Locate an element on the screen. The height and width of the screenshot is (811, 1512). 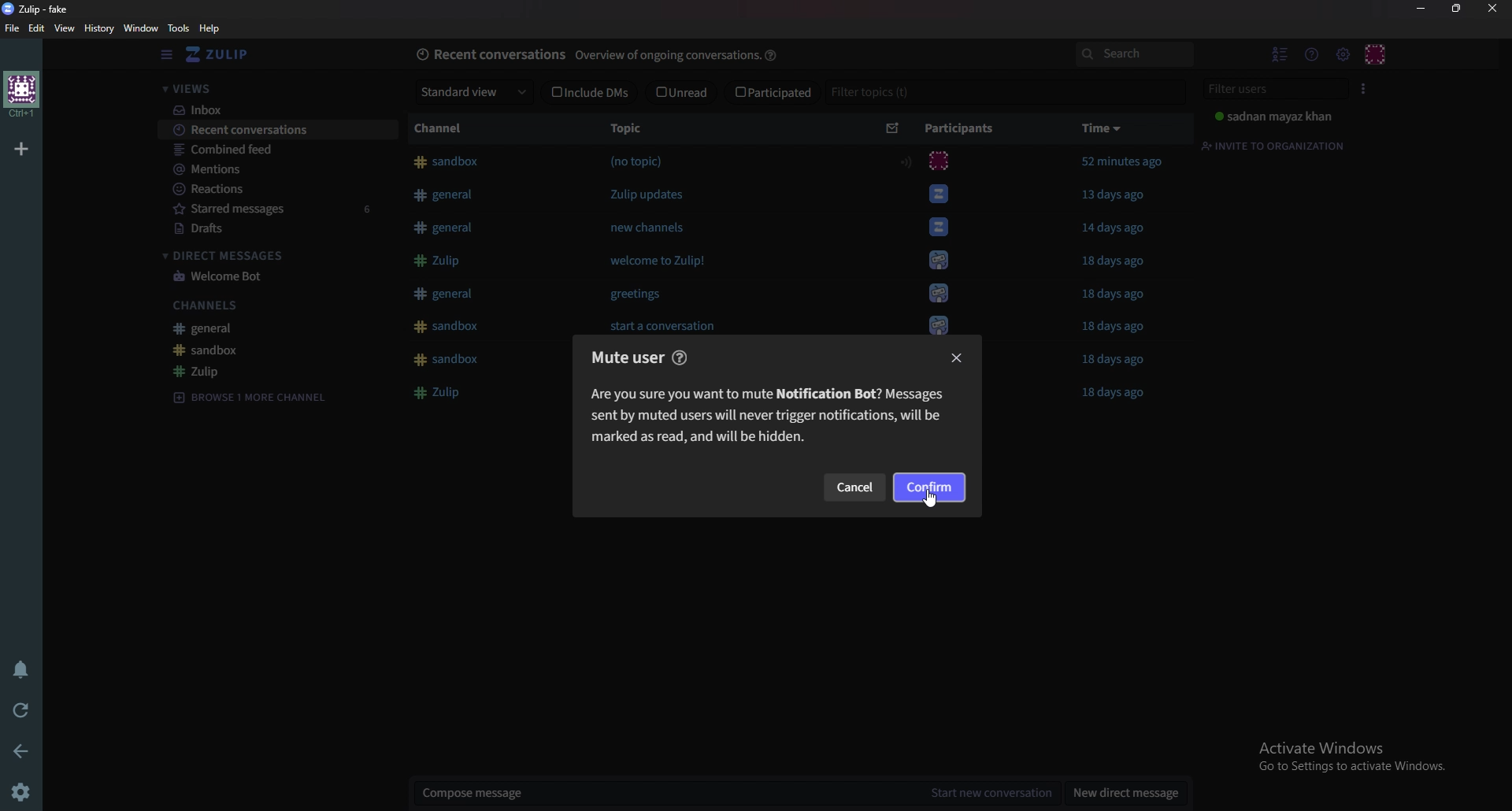
Tools is located at coordinates (180, 28).